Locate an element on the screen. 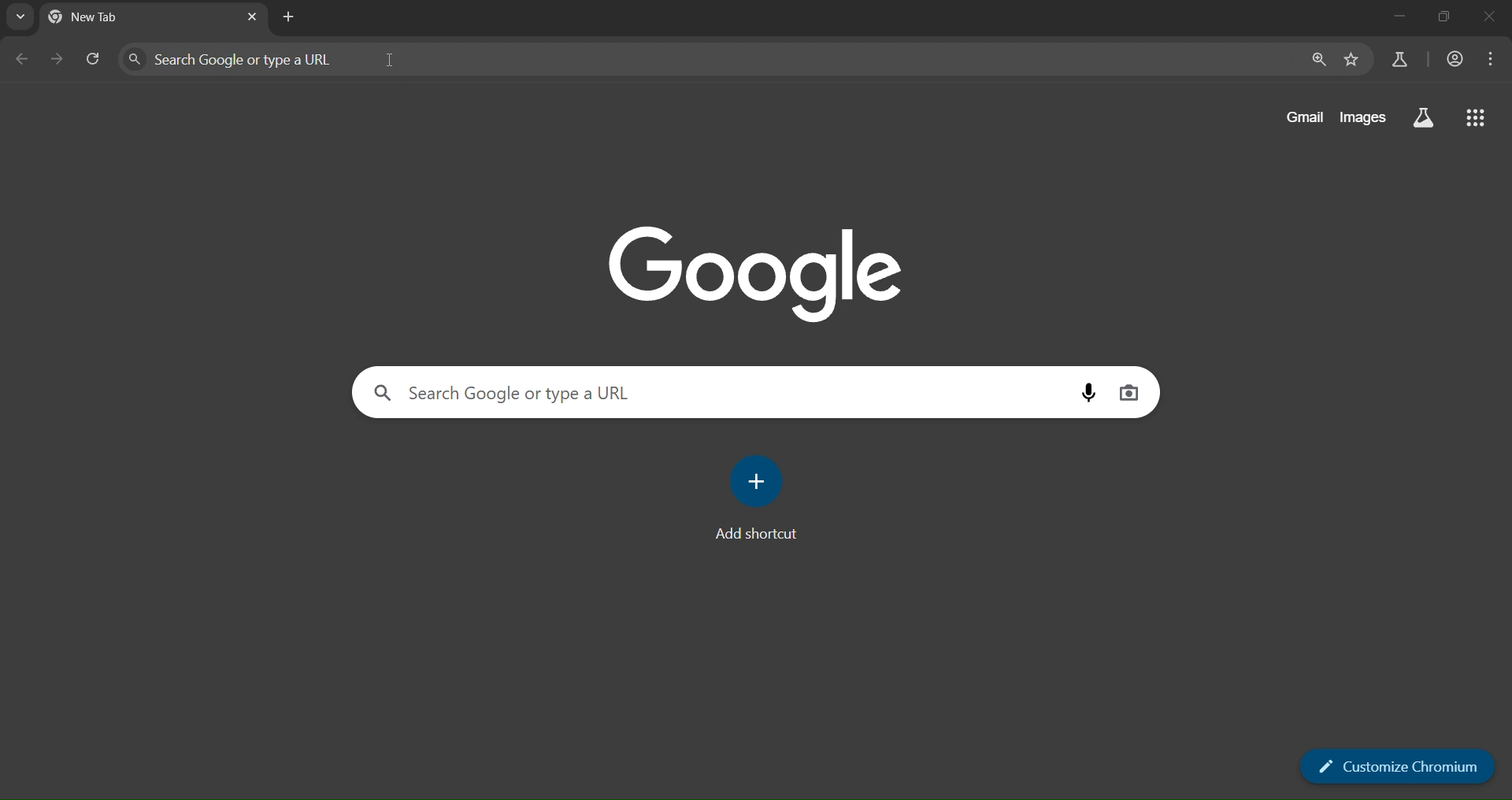 This screenshot has width=1512, height=800. gmail is located at coordinates (1303, 118).